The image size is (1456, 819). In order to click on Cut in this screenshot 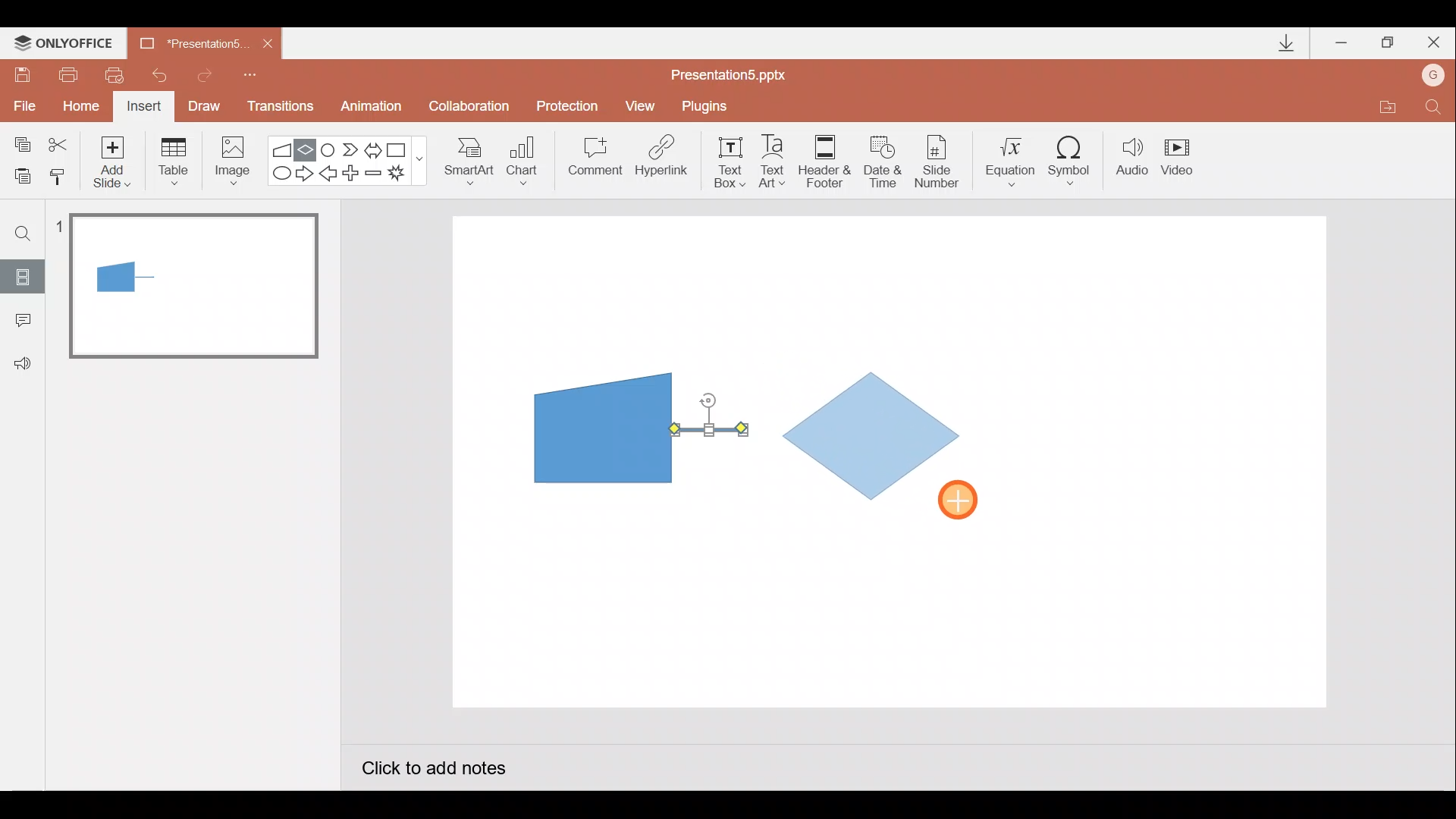, I will do `click(61, 142)`.